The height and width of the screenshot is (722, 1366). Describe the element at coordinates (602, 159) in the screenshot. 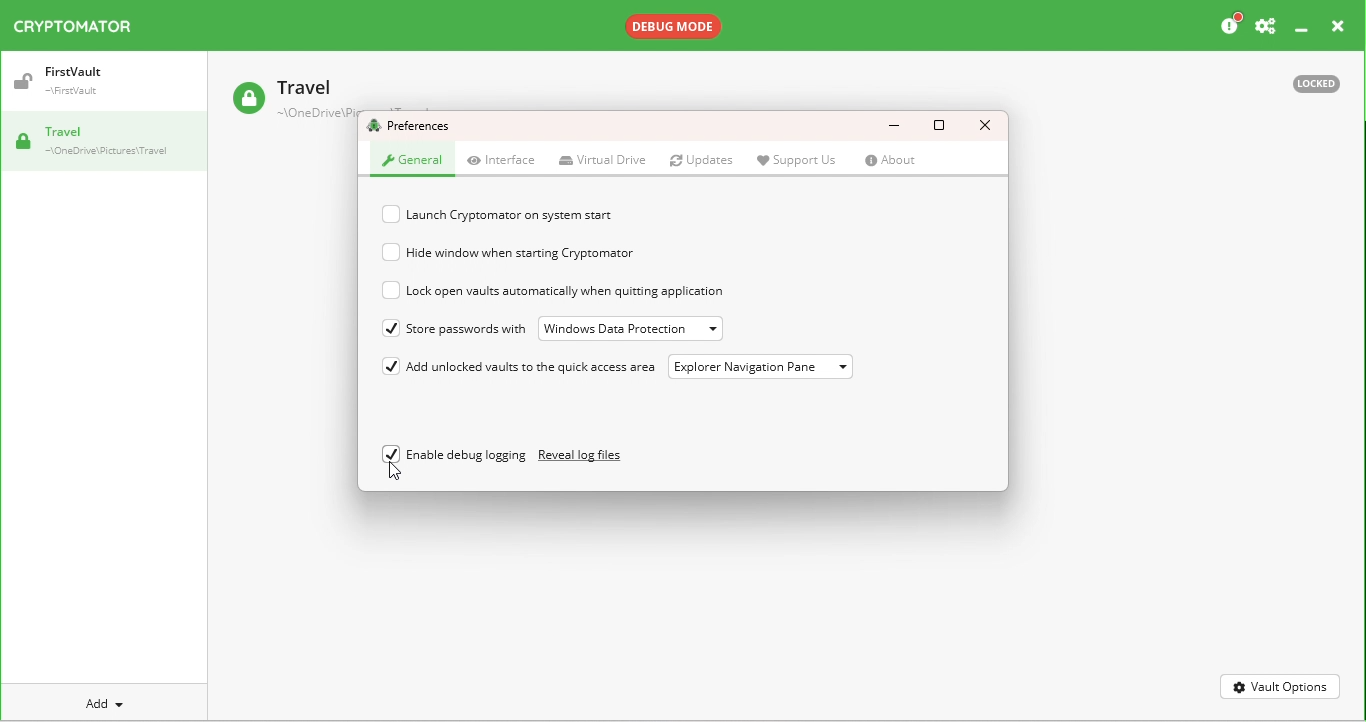

I see `Virtual drive` at that location.